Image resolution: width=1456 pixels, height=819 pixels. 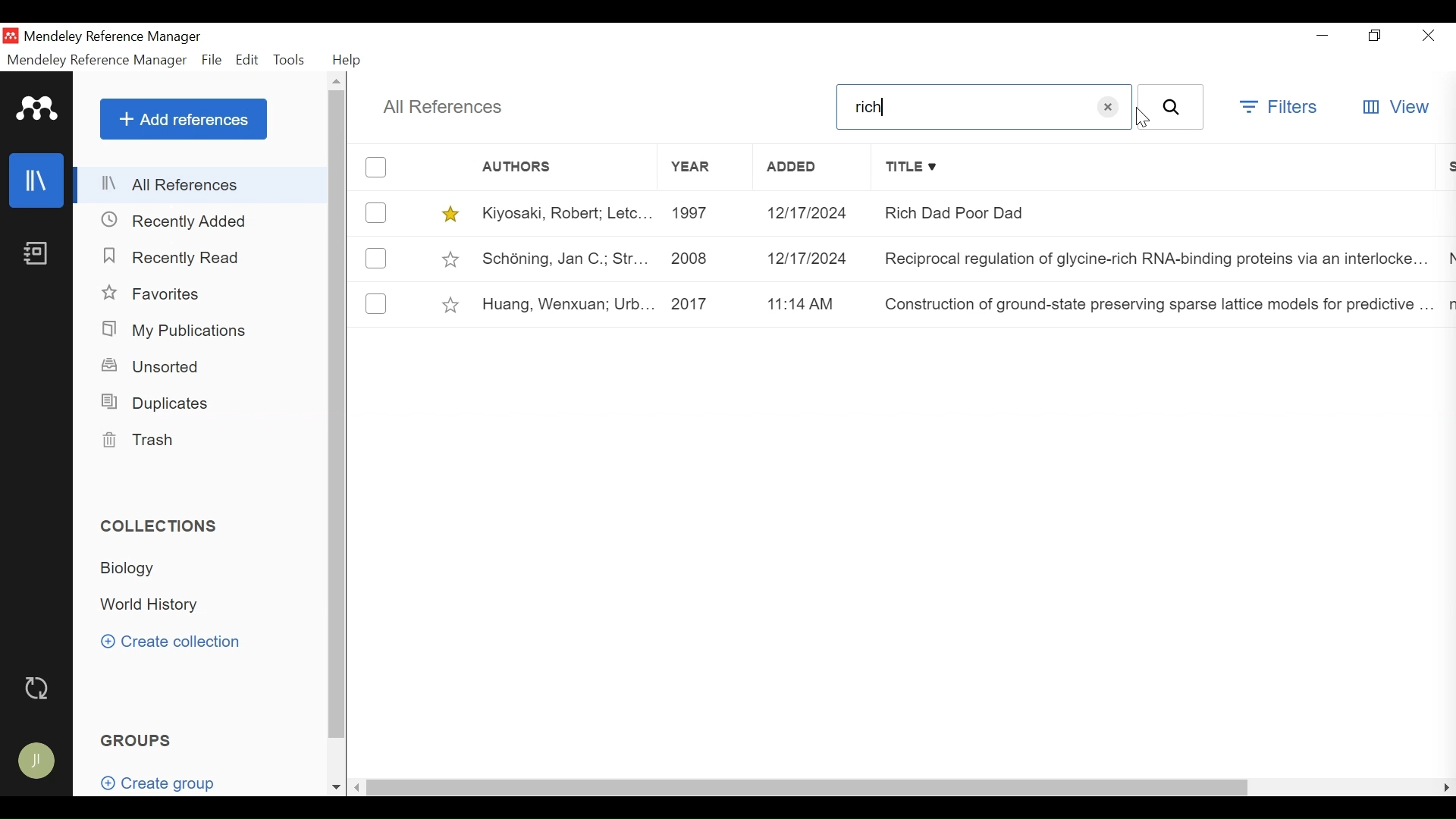 I want to click on Create Group, so click(x=156, y=778).